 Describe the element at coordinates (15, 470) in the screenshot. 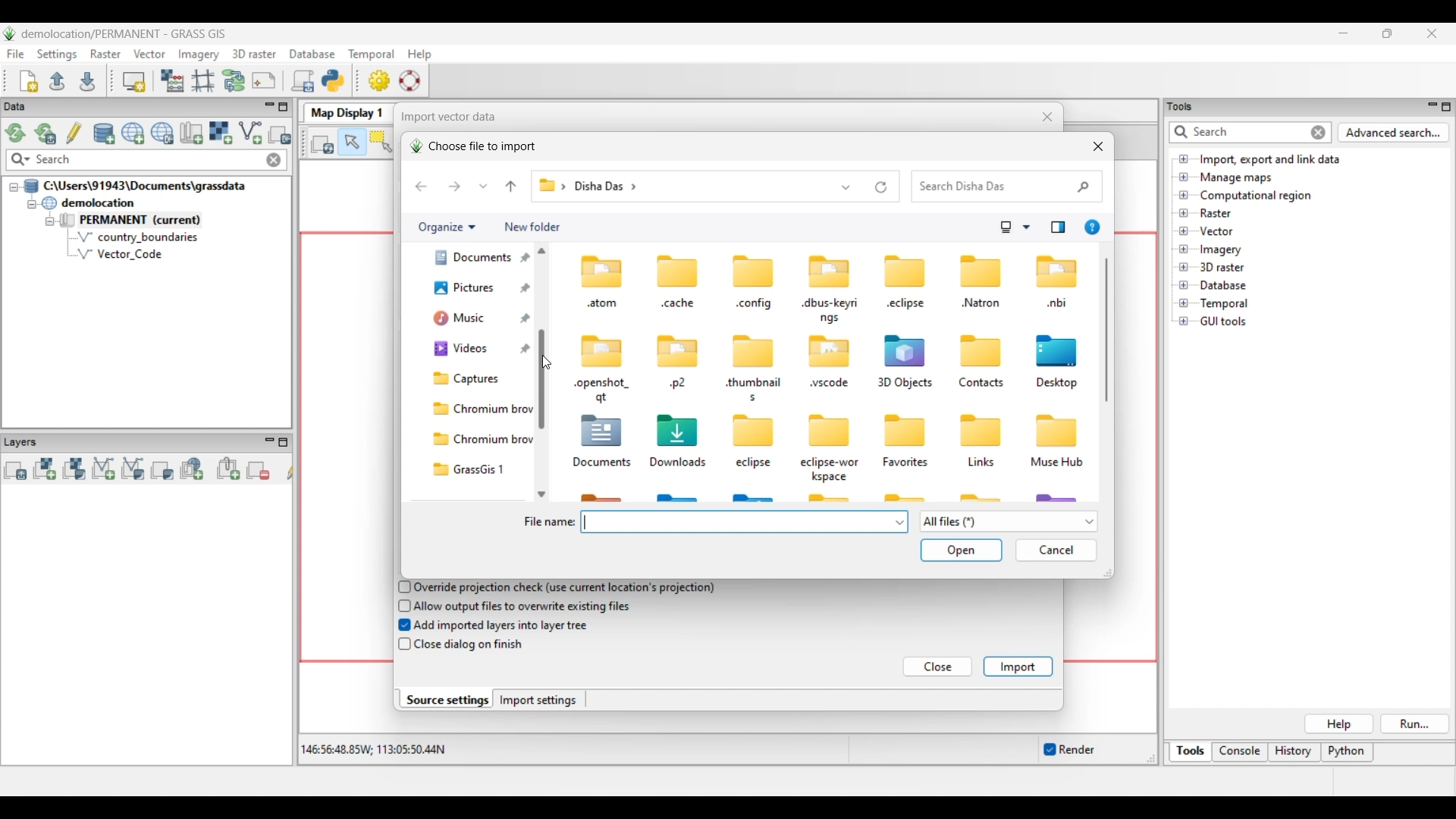

I see `Add multiple vector or raster map layers` at that location.